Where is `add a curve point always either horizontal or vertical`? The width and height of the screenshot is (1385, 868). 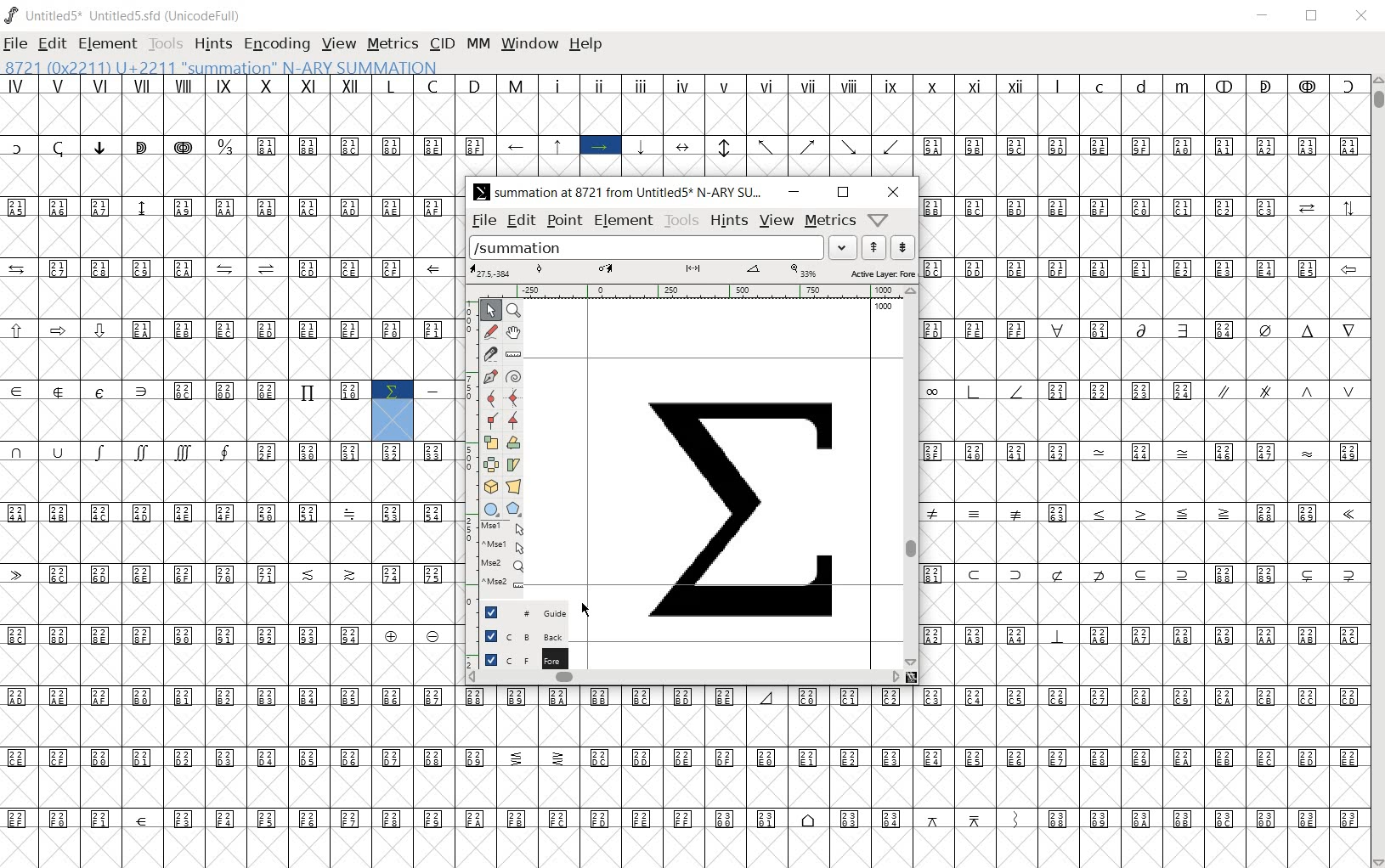 add a curve point always either horizontal or vertical is located at coordinates (513, 398).